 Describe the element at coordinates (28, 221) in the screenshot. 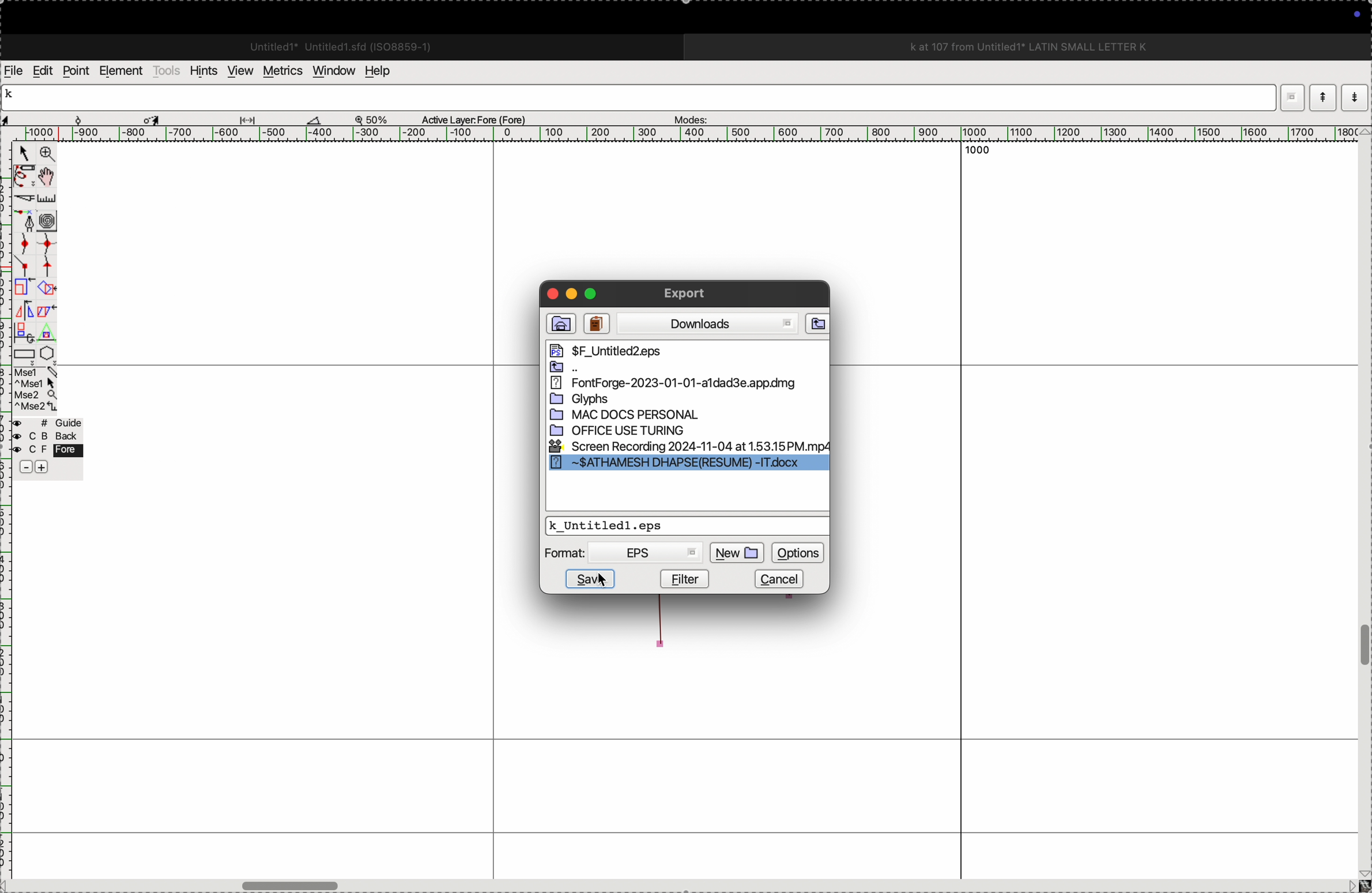

I see `fountain pen` at that location.